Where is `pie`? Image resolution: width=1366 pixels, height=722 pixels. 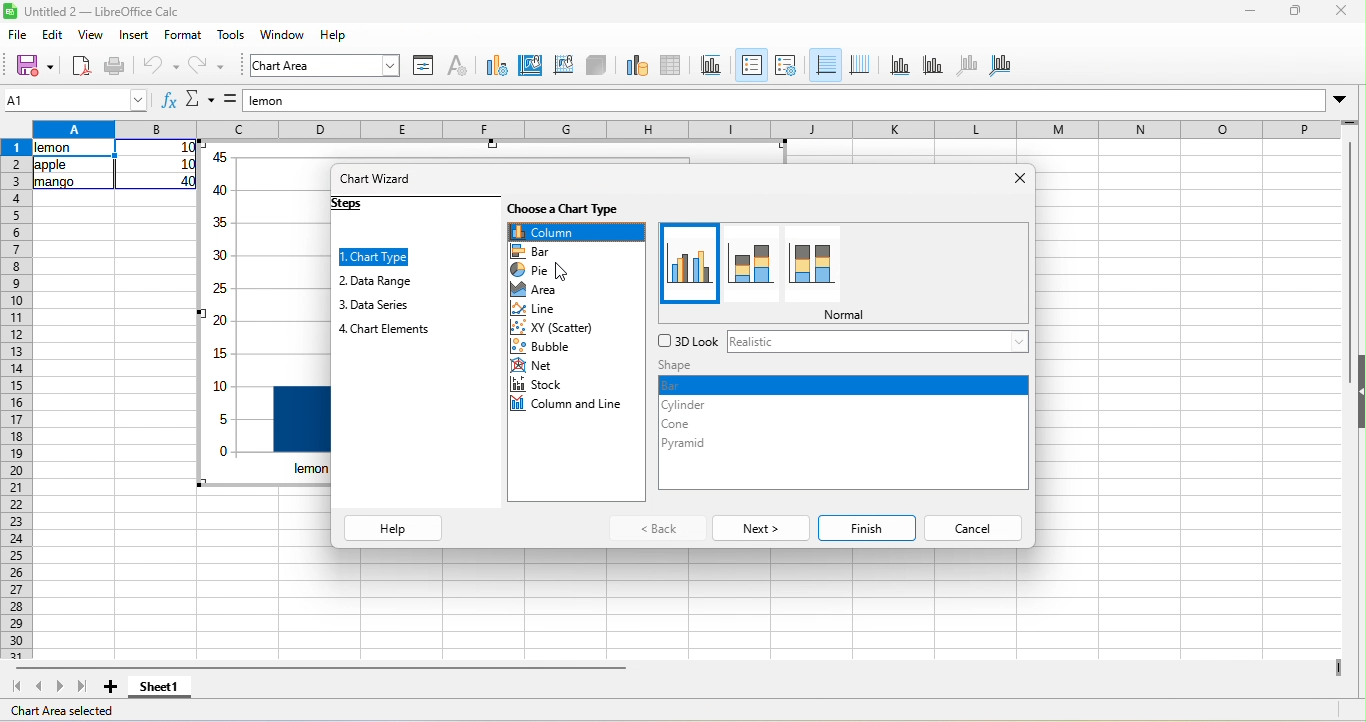 pie is located at coordinates (549, 271).